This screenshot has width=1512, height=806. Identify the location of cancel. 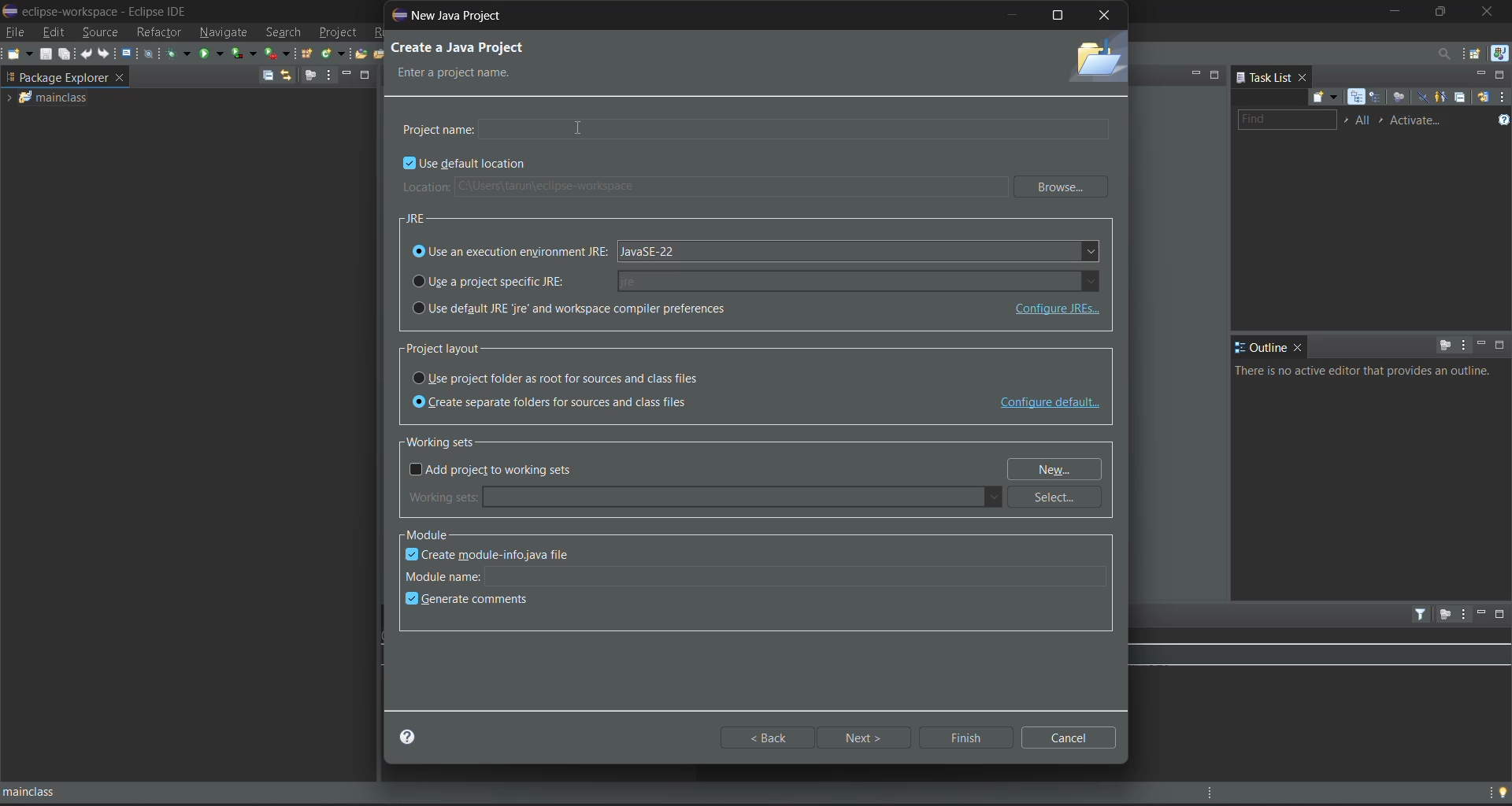
(1073, 737).